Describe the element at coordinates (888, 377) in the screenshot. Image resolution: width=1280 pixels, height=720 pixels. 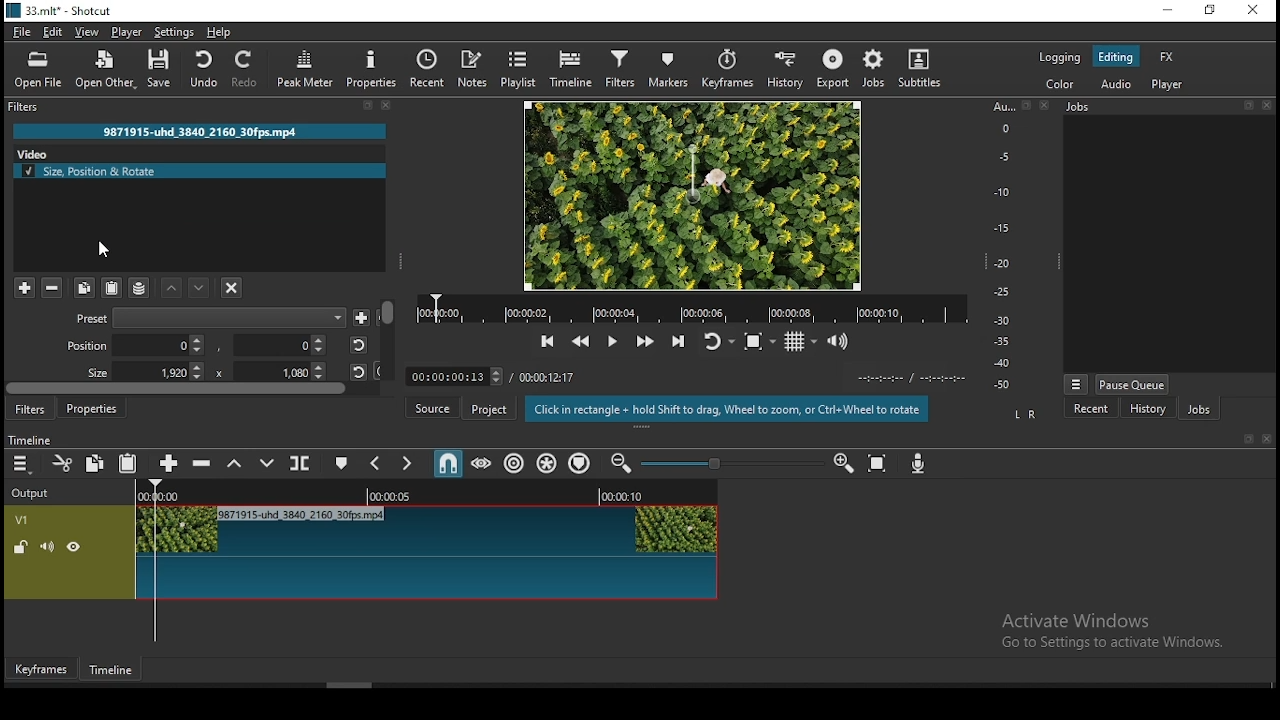
I see `video played time/ video remaining time` at that location.